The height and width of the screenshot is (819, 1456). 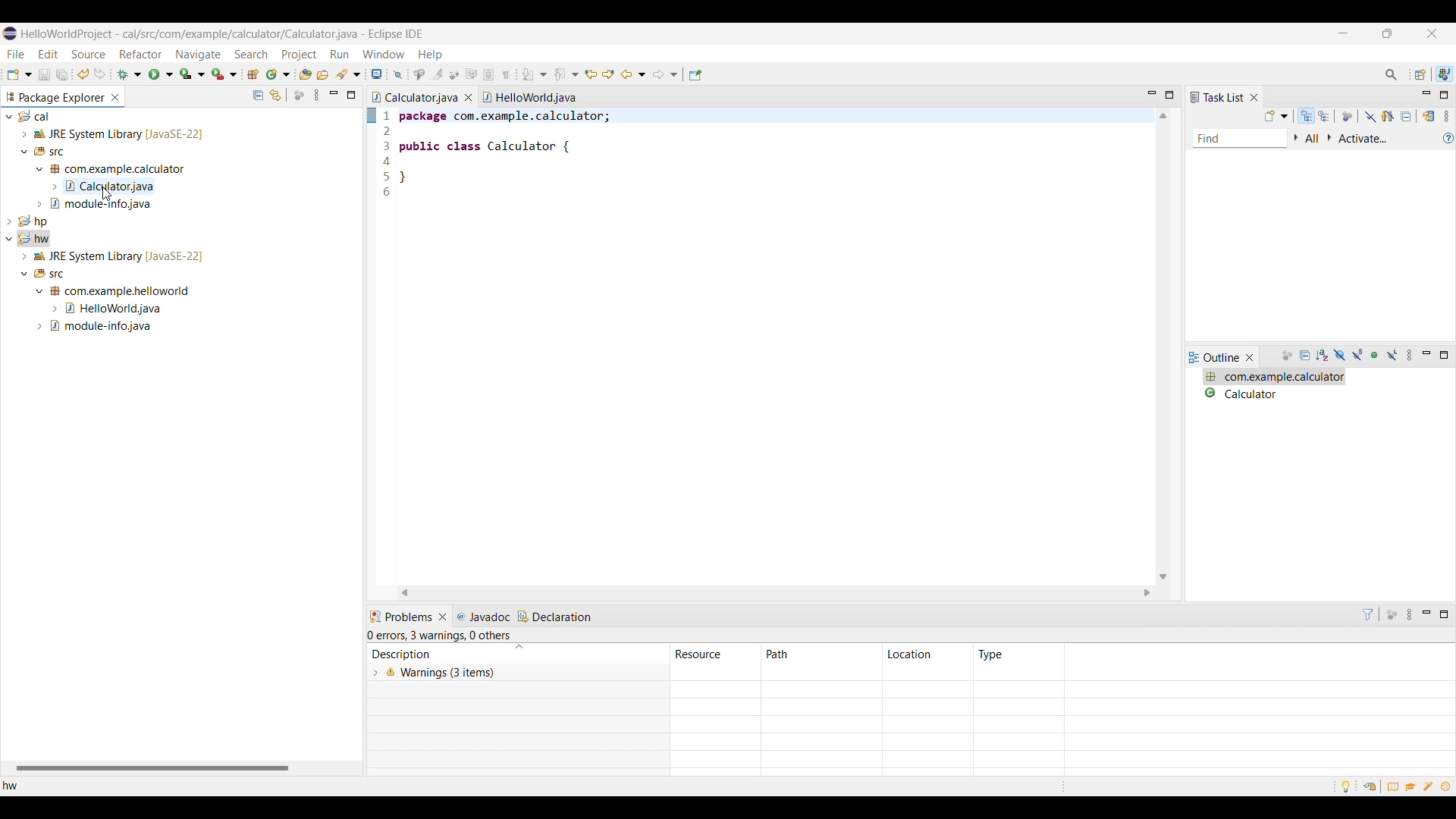 What do you see at coordinates (1444, 74) in the screenshot?
I see `Java, current selection` at bounding box center [1444, 74].